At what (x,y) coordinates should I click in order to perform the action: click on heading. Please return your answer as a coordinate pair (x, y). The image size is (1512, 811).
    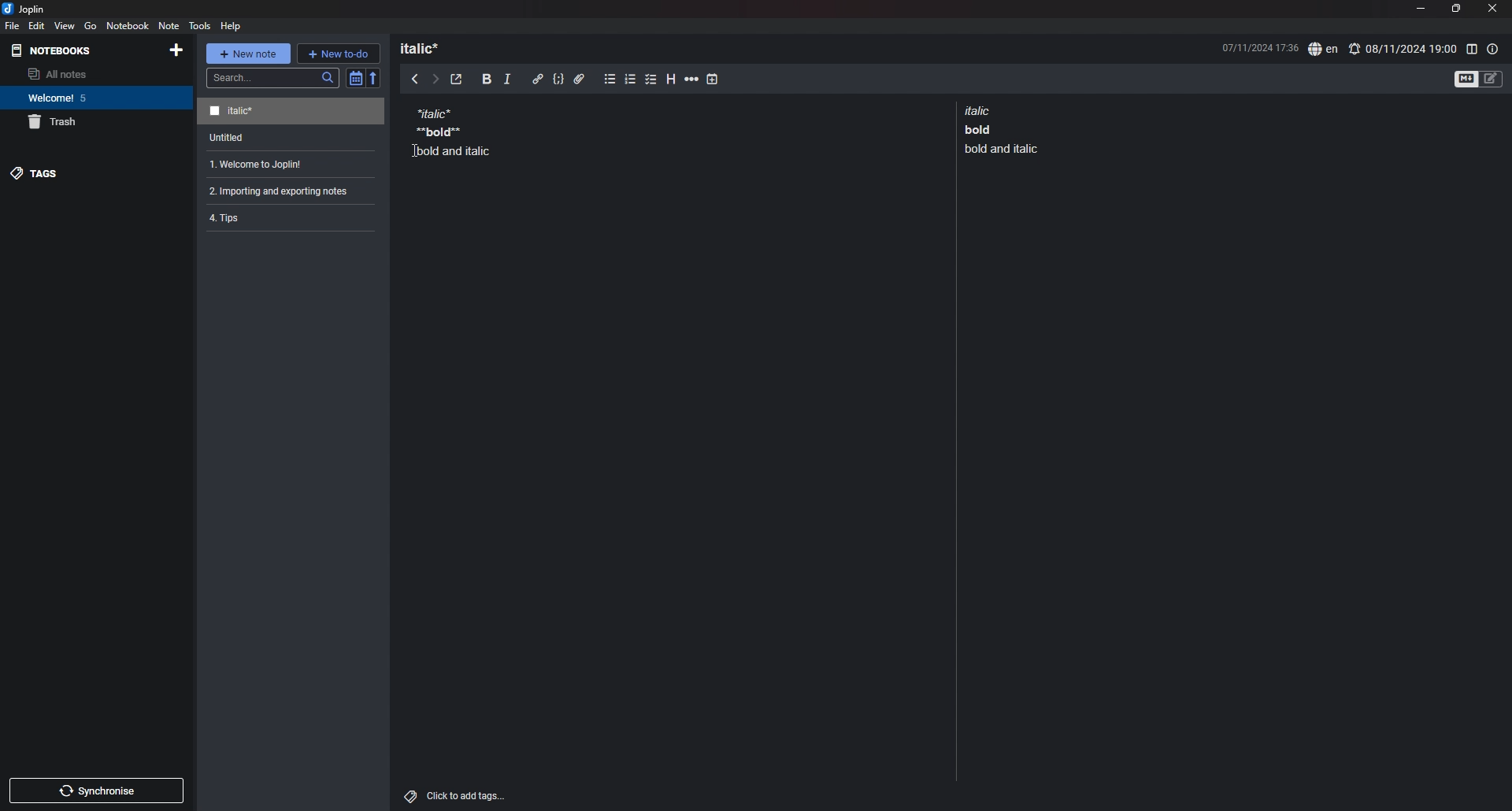
    Looking at the image, I should click on (427, 48).